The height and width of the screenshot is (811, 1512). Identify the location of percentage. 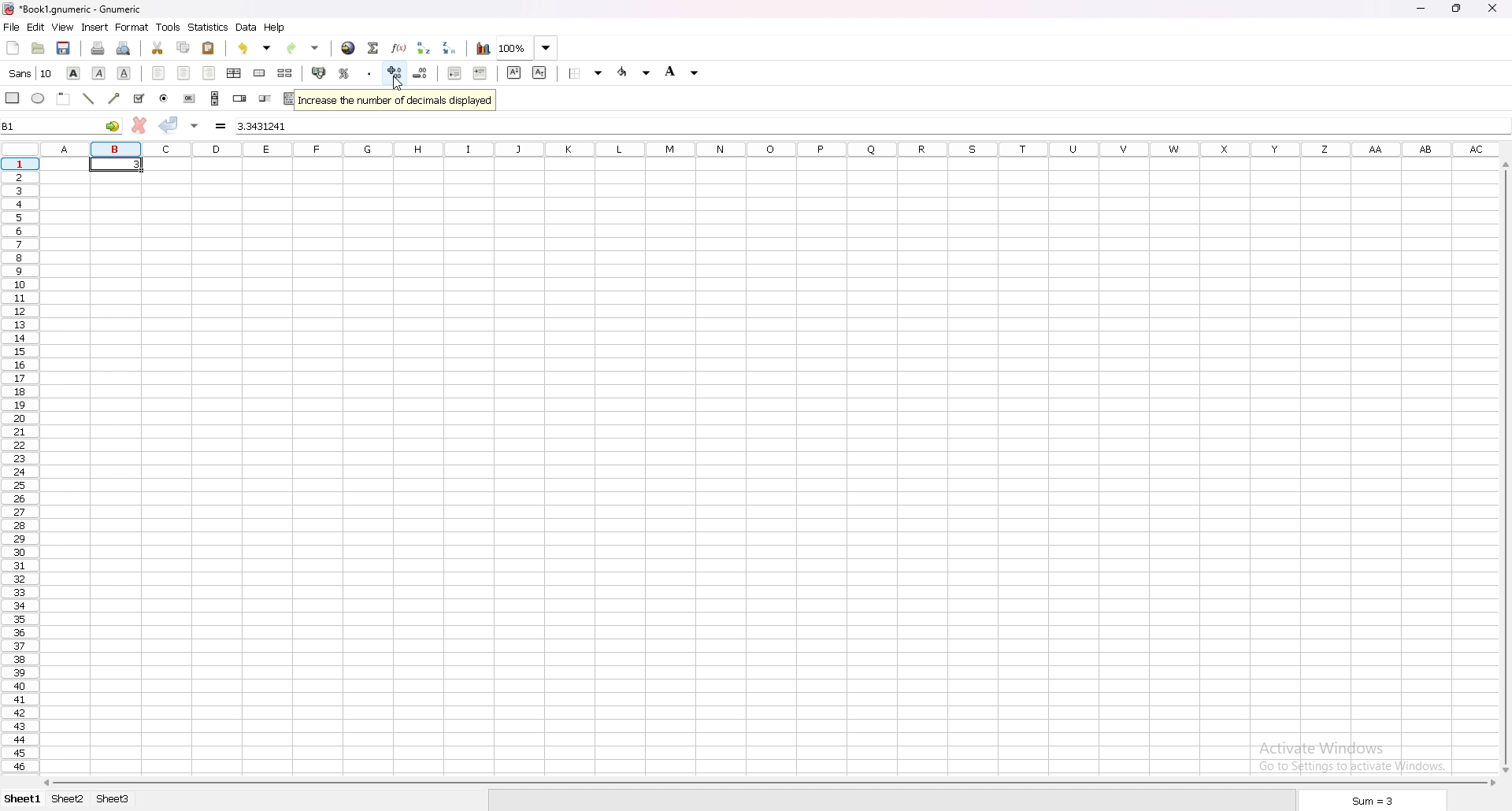
(344, 73).